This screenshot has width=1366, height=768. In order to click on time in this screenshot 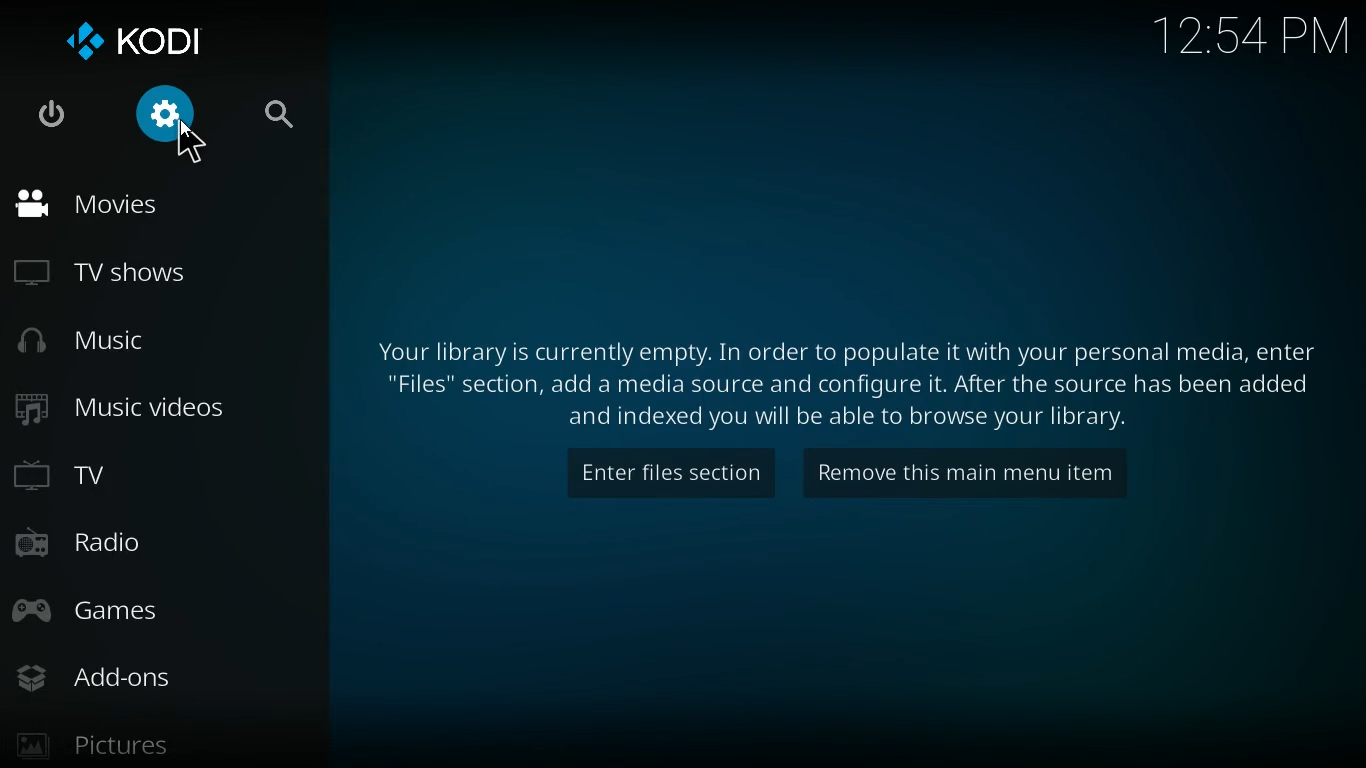, I will do `click(1251, 42)`.